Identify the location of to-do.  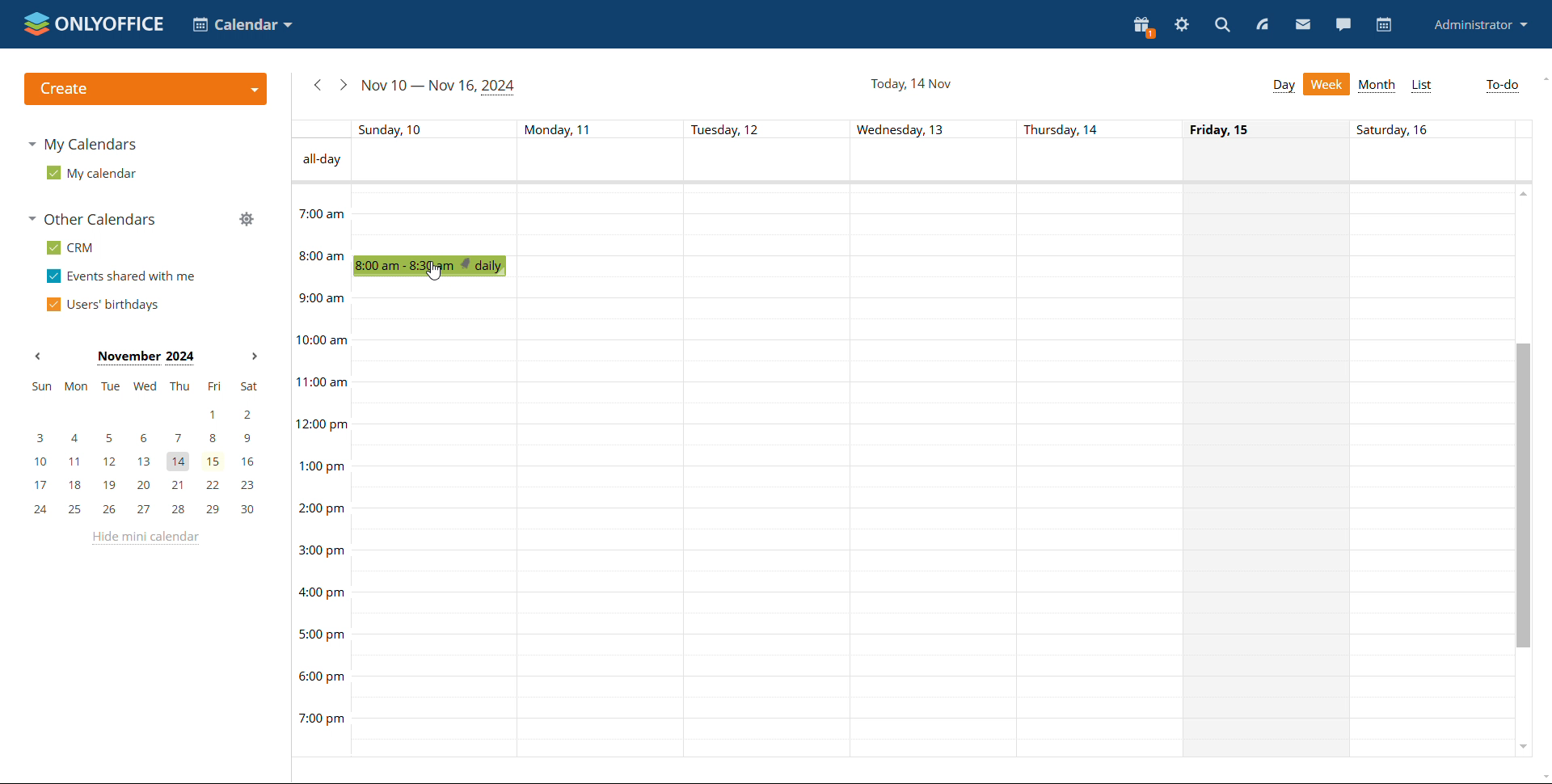
(1500, 86).